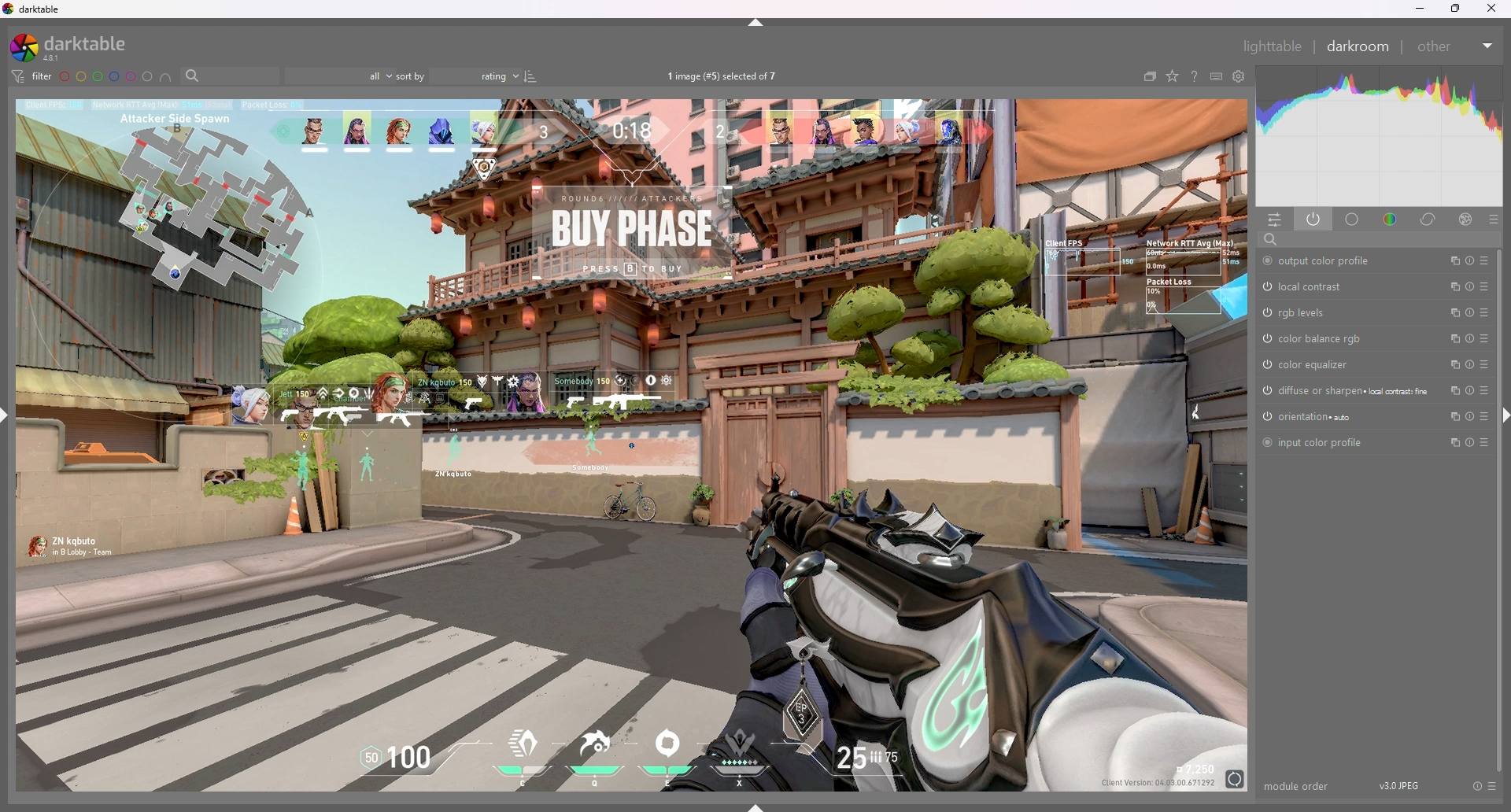 The height and width of the screenshot is (812, 1511). I want to click on collapse grouped images, so click(1151, 76).